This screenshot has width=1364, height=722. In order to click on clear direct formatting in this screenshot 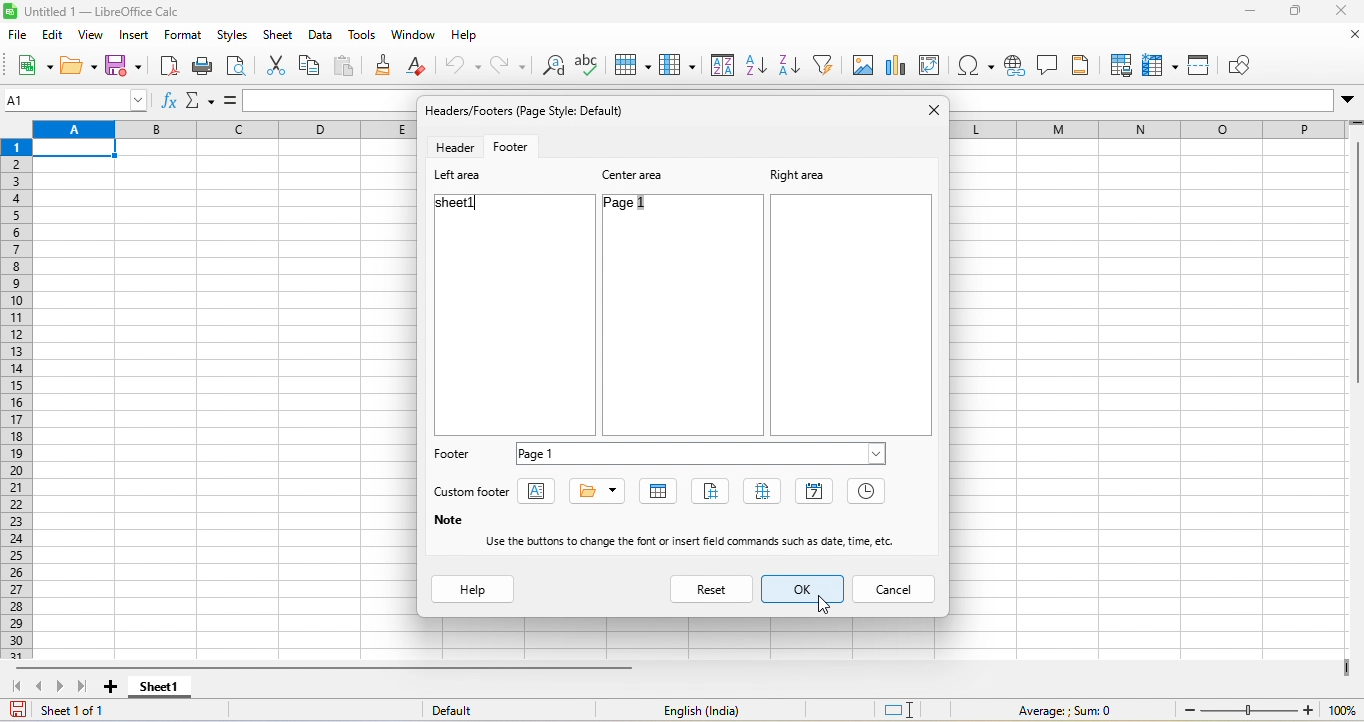, I will do `click(420, 65)`.